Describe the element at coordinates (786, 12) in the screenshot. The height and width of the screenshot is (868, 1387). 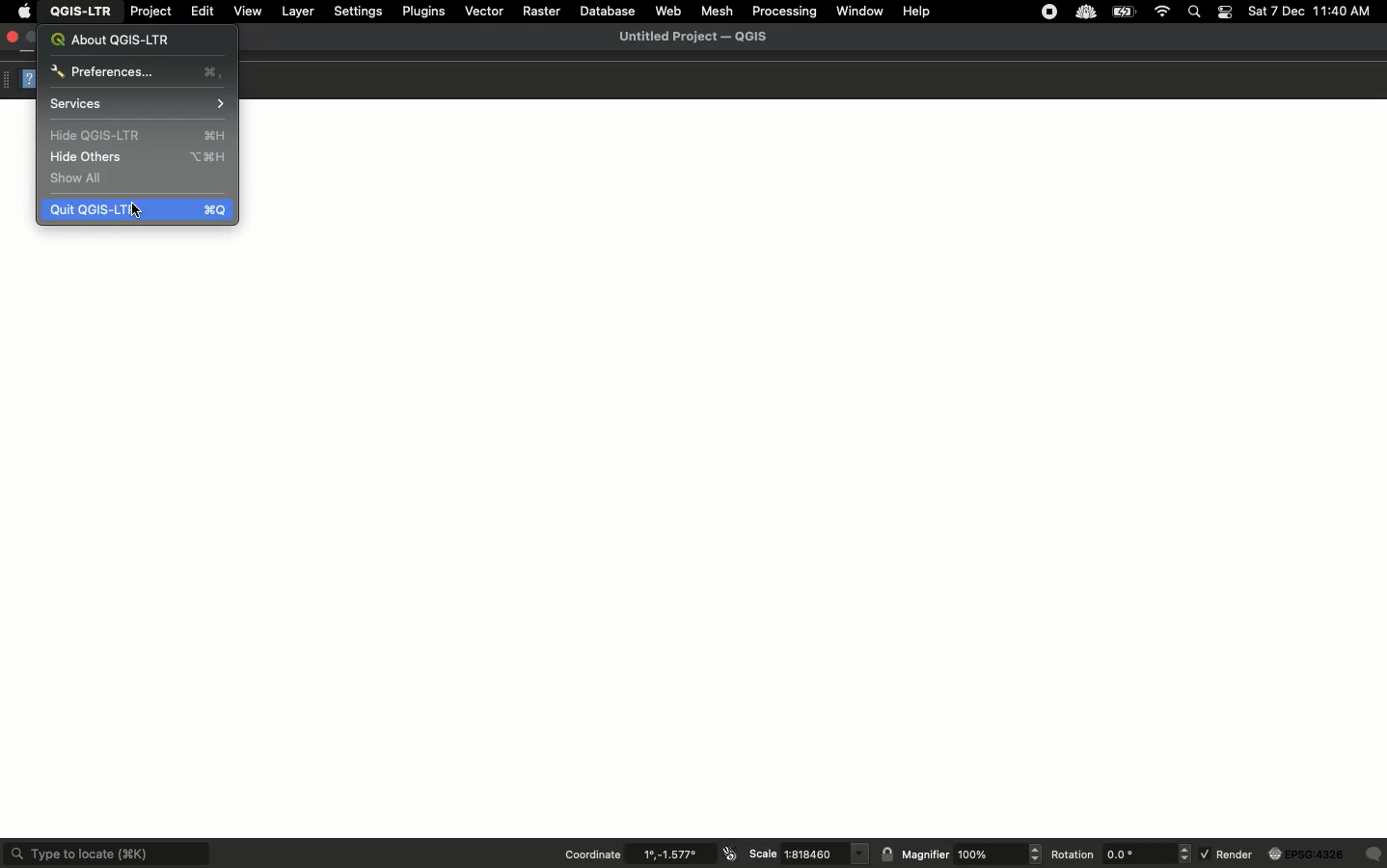
I see `Processing` at that location.